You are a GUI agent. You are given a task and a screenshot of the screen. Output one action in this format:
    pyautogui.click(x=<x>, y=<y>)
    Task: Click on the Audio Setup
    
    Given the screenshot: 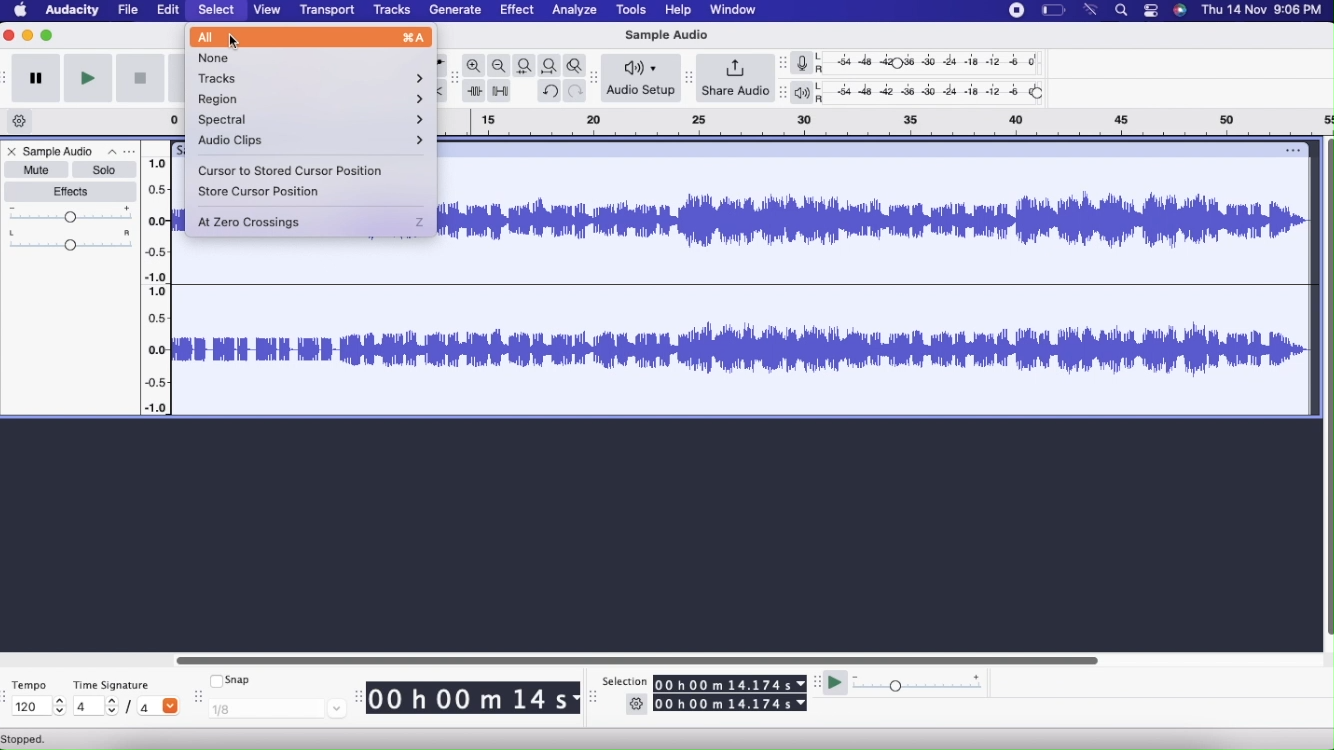 What is the action you would take?
    pyautogui.click(x=641, y=77)
    